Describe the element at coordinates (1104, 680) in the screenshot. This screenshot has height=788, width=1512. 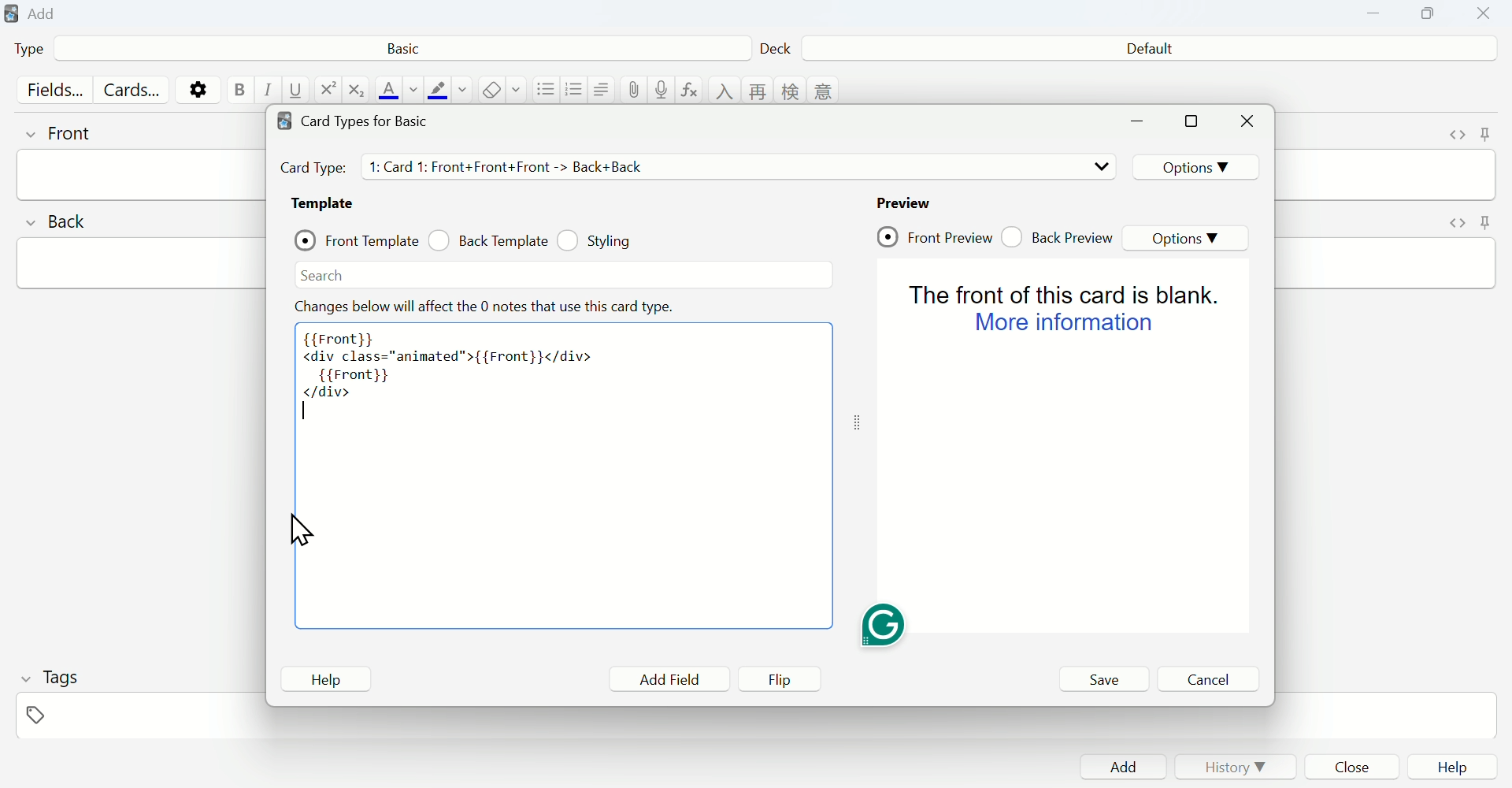
I see `Save` at that location.